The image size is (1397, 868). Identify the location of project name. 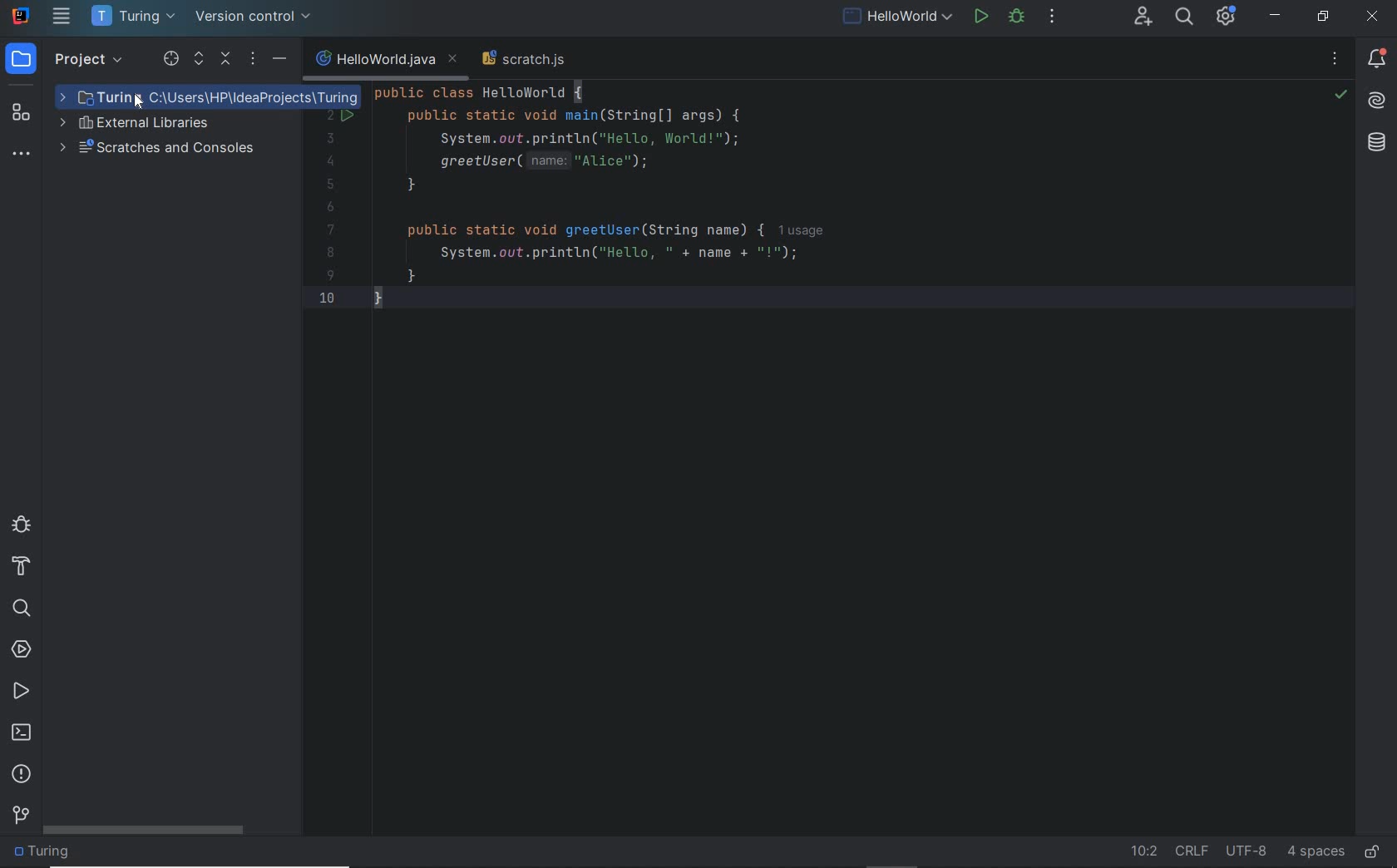
(135, 17).